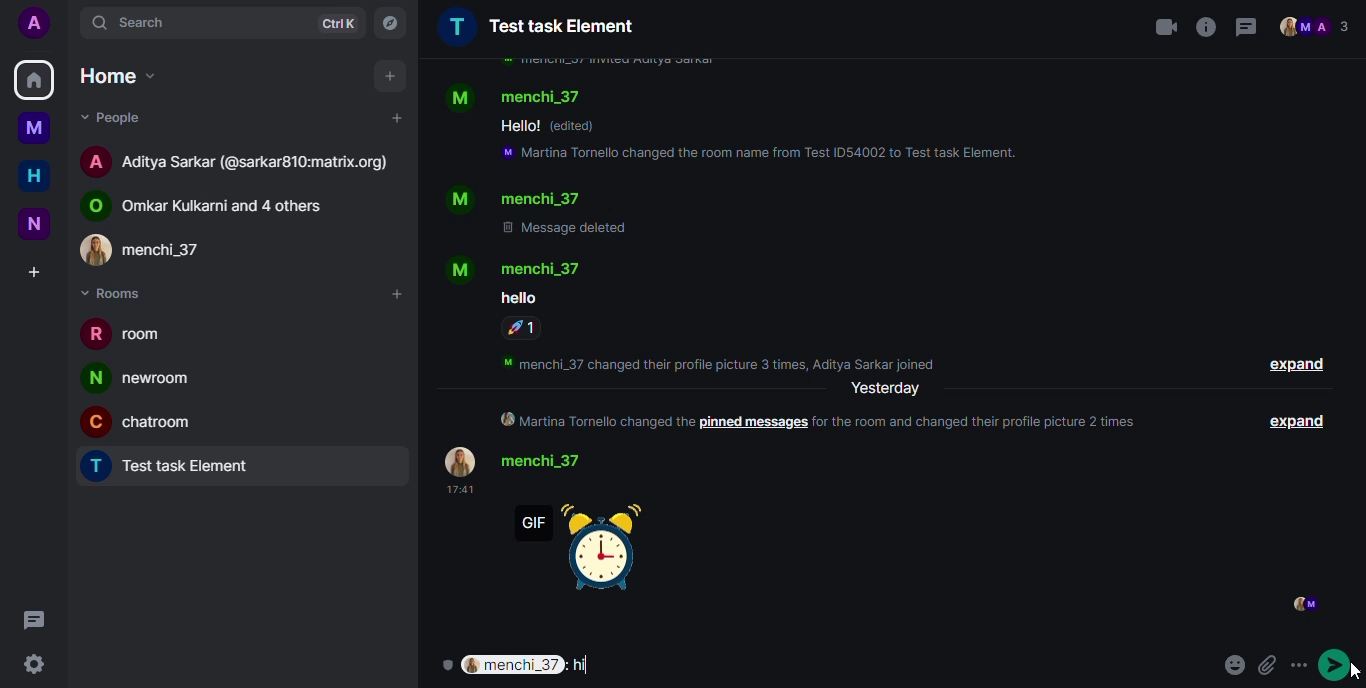 The width and height of the screenshot is (1366, 688). What do you see at coordinates (391, 76) in the screenshot?
I see `add` at bounding box center [391, 76].